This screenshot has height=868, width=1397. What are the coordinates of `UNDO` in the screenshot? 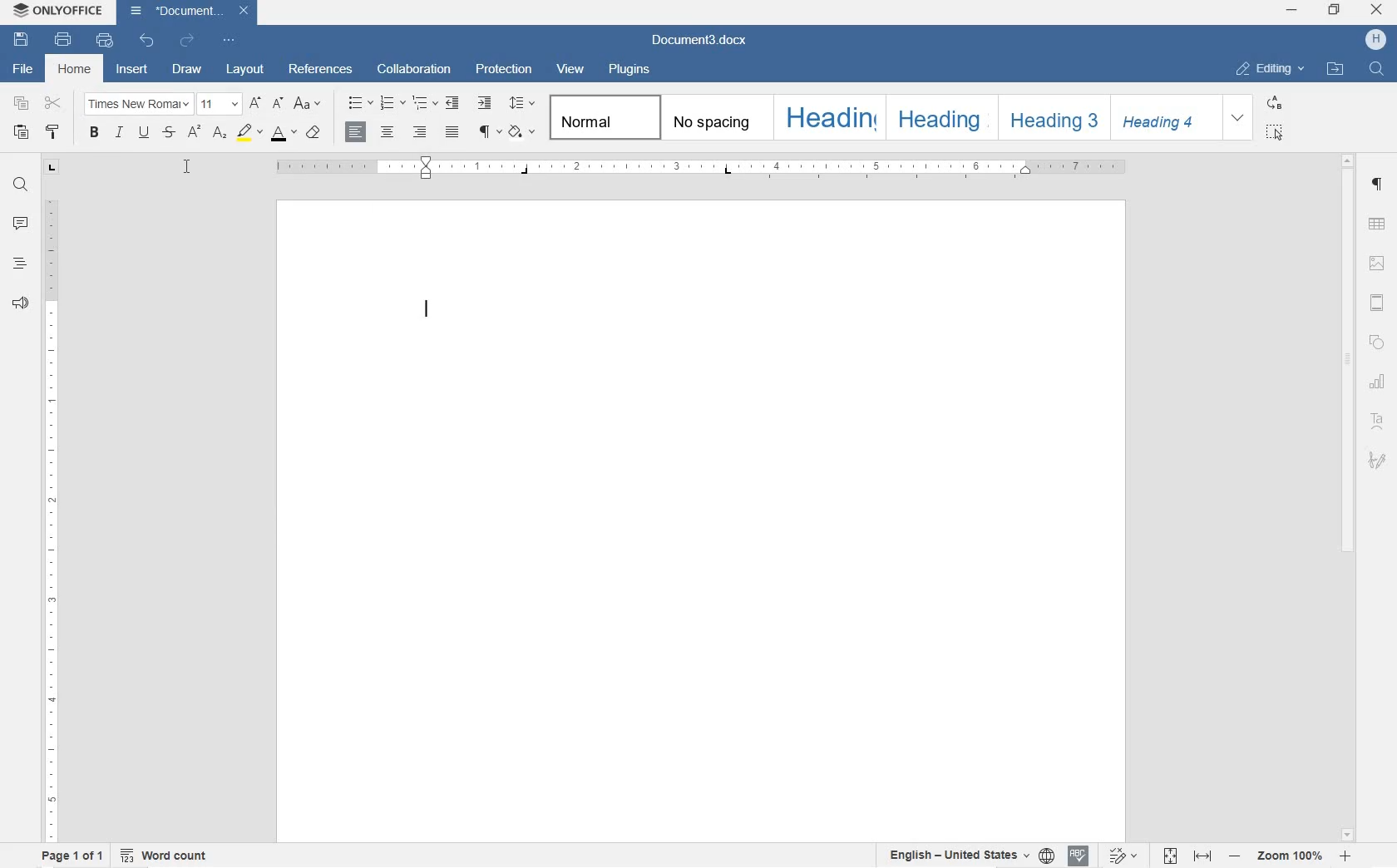 It's located at (146, 42).